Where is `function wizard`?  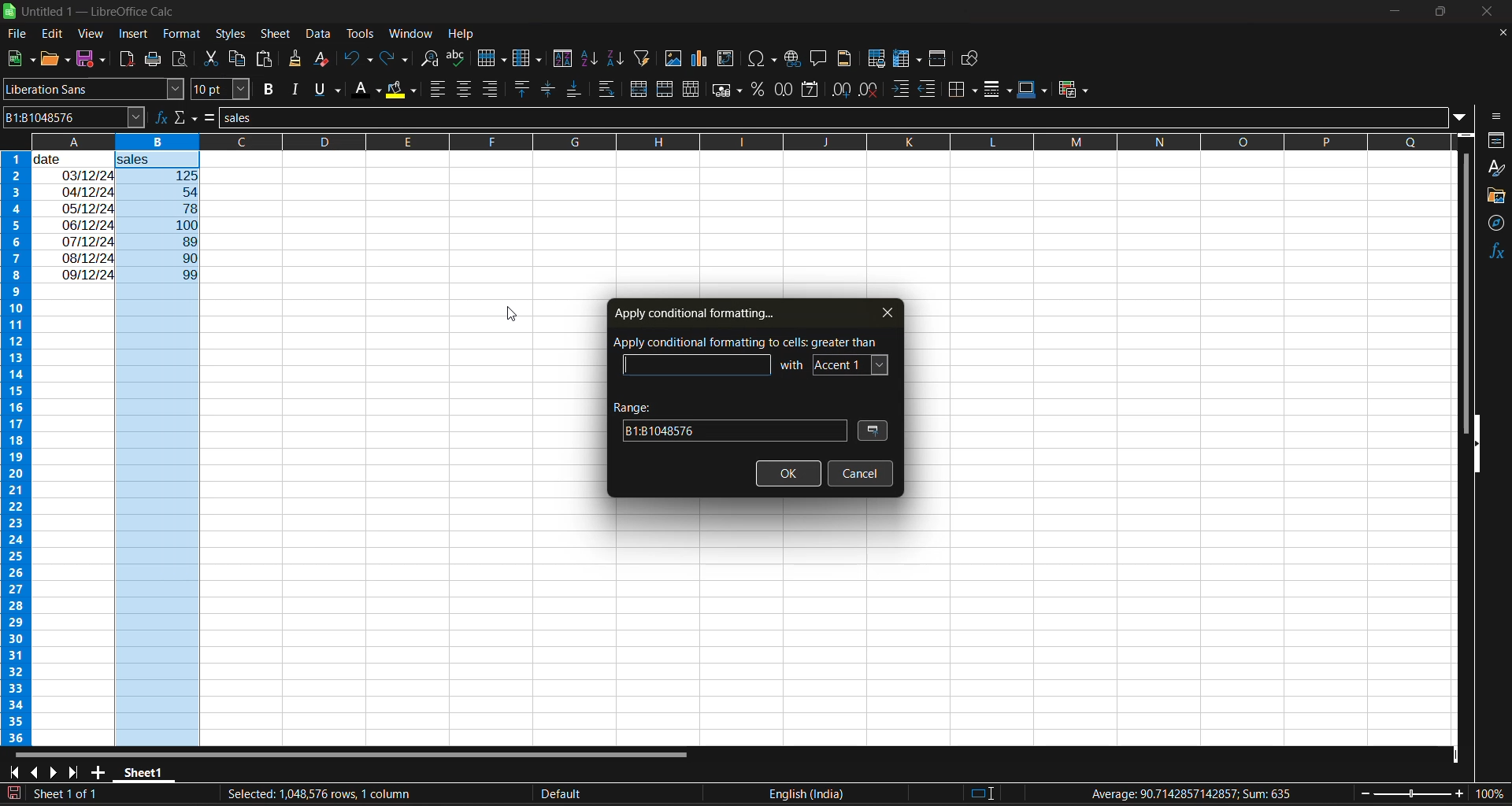 function wizard is located at coordinates (158, 117).